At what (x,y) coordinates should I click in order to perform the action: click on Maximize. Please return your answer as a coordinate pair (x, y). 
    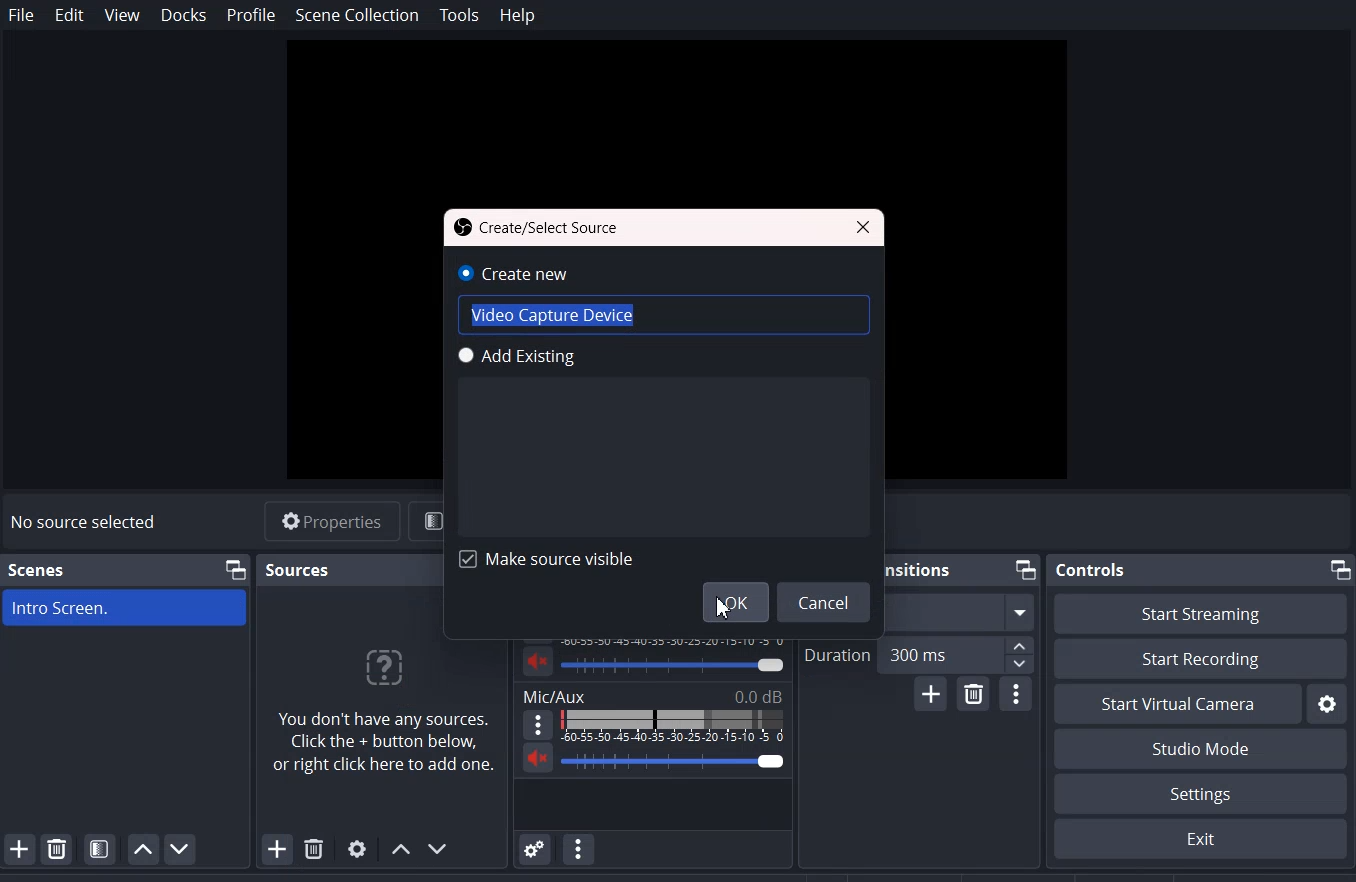
    Looking at the image, I should click on (1026, 570).